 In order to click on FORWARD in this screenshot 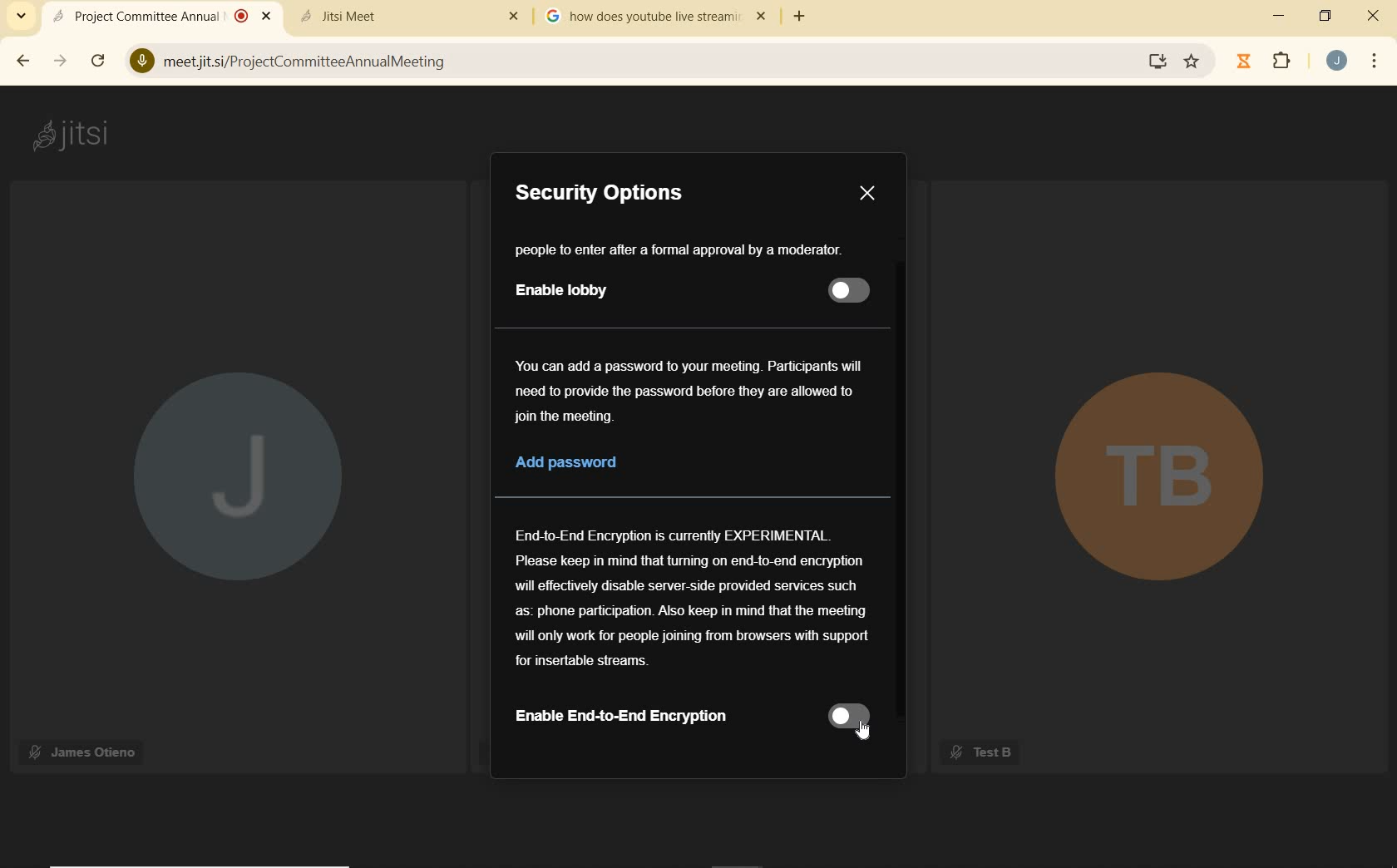, I will do `click(57, 62)`.